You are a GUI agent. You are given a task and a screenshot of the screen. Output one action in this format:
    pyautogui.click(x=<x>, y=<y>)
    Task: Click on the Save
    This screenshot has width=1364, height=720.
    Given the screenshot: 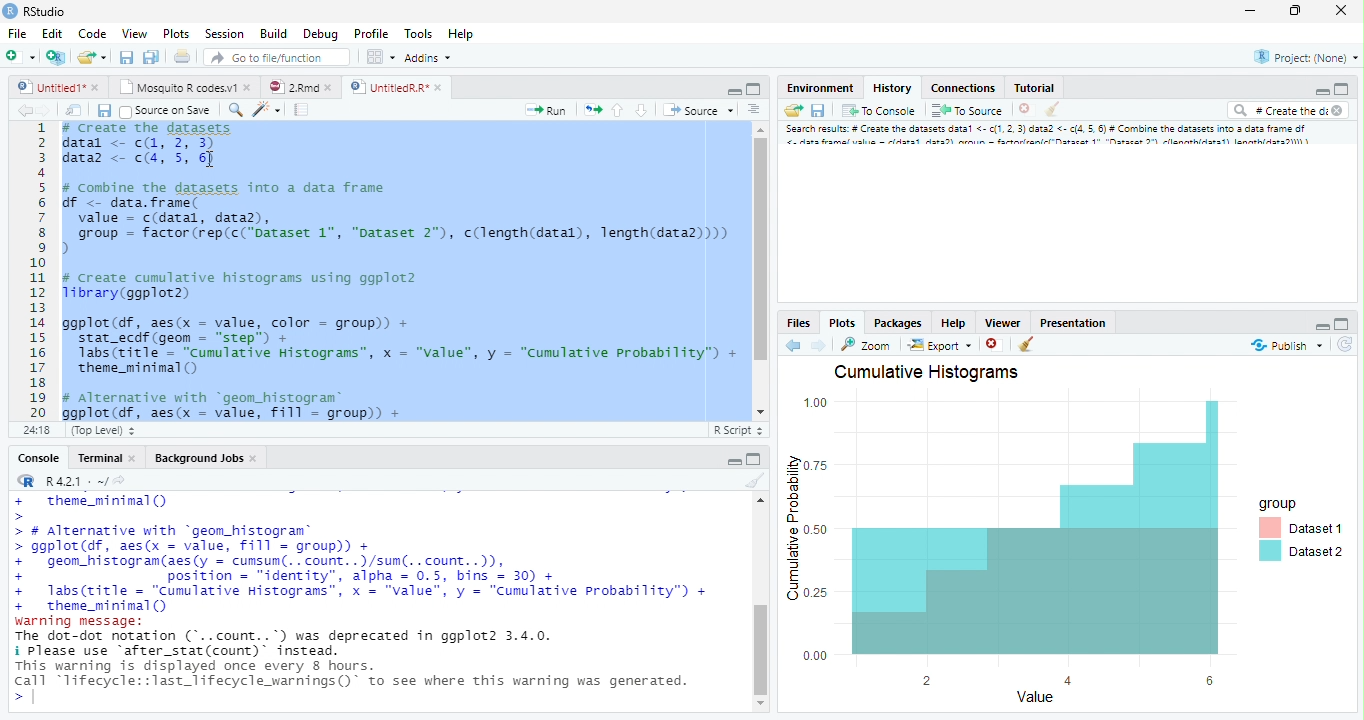 What is the action you would take?
    pyautogui.click(x=822, y=109)
    